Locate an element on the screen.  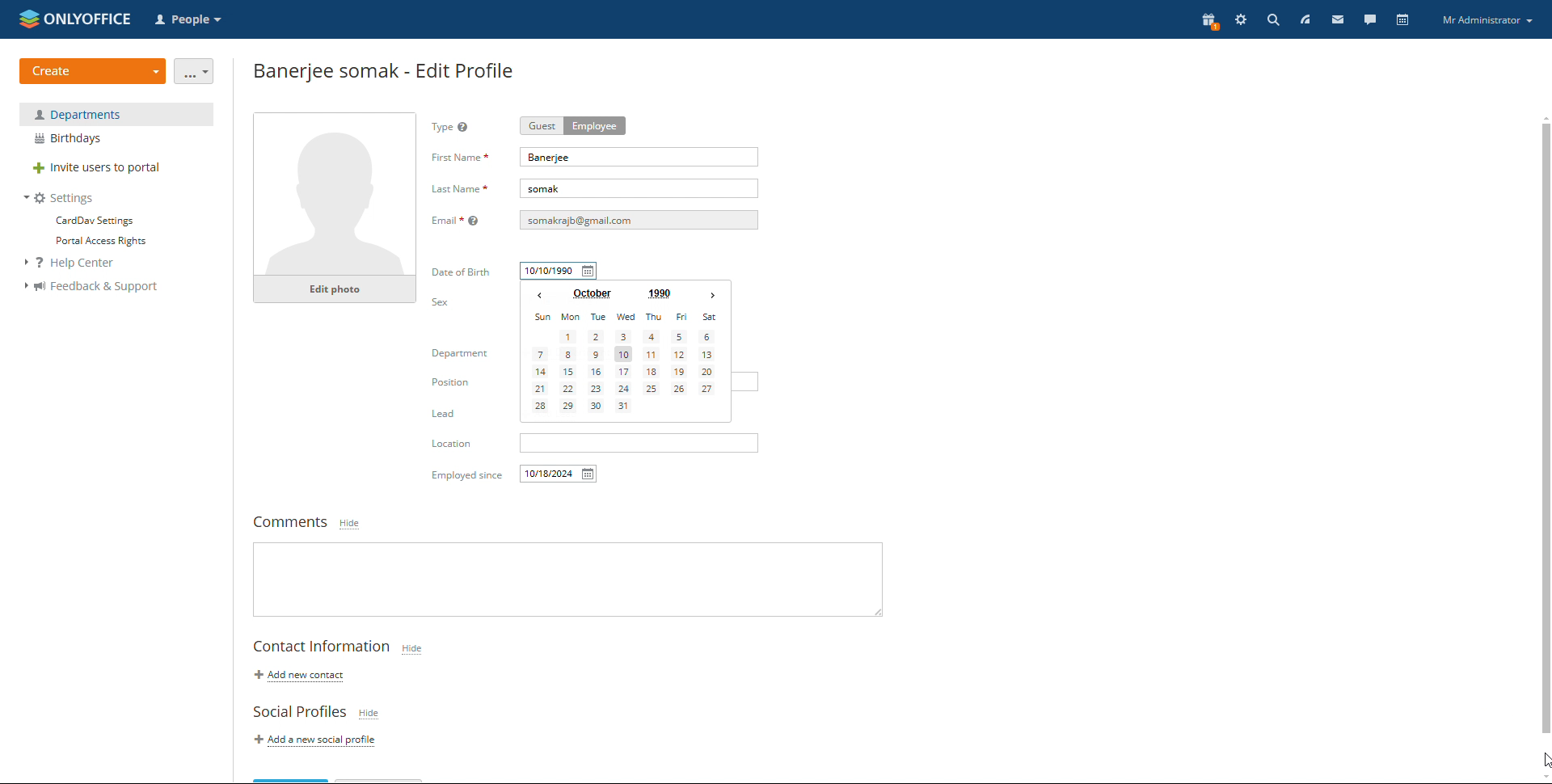
settings is located at coordinates (60, 198).